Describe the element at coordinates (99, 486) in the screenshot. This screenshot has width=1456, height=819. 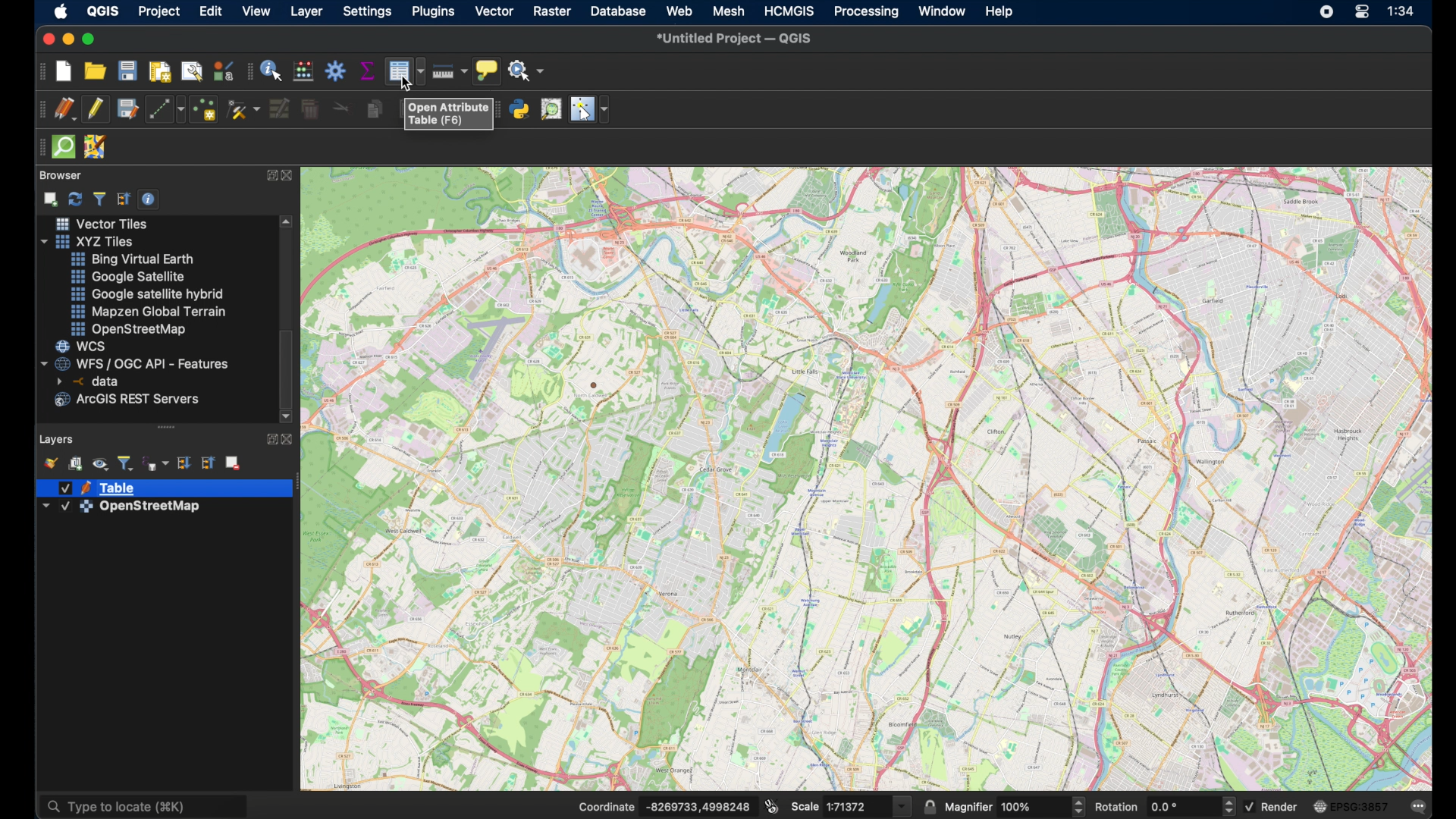
I see `table layer` at that location.